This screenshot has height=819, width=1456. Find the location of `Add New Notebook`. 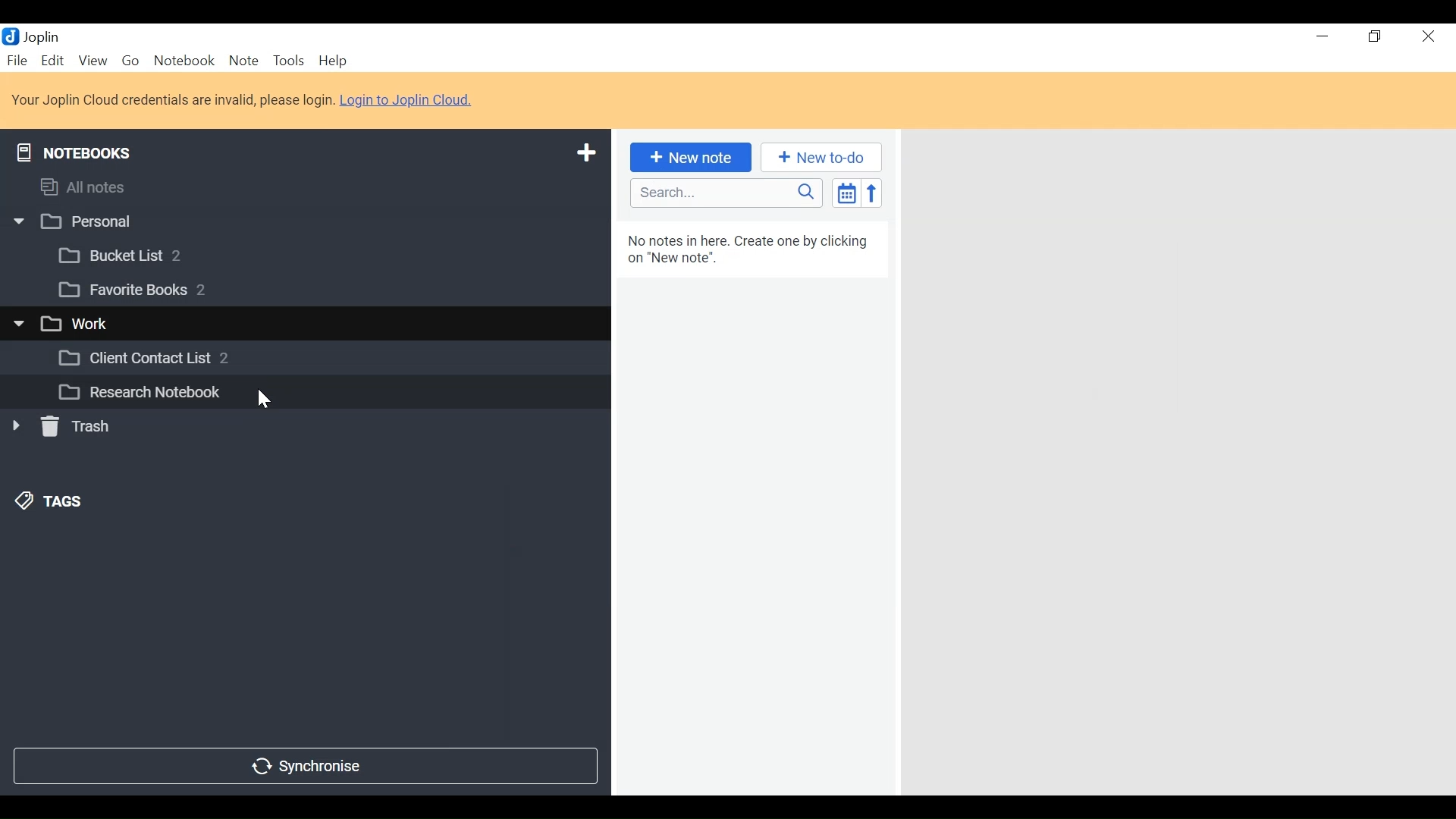

Add New Notebook is located at coordinates (585, 153).